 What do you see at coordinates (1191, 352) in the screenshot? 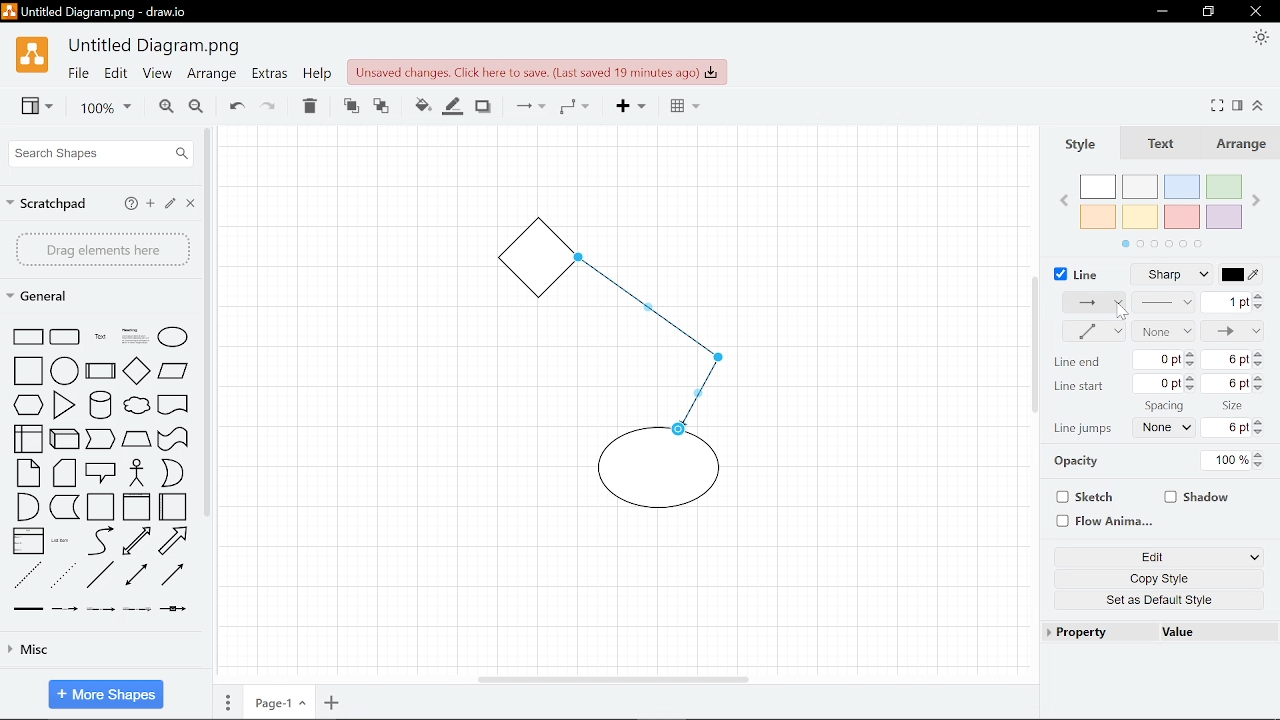
I see `Increase line end` at bounding box center [1191, 352].